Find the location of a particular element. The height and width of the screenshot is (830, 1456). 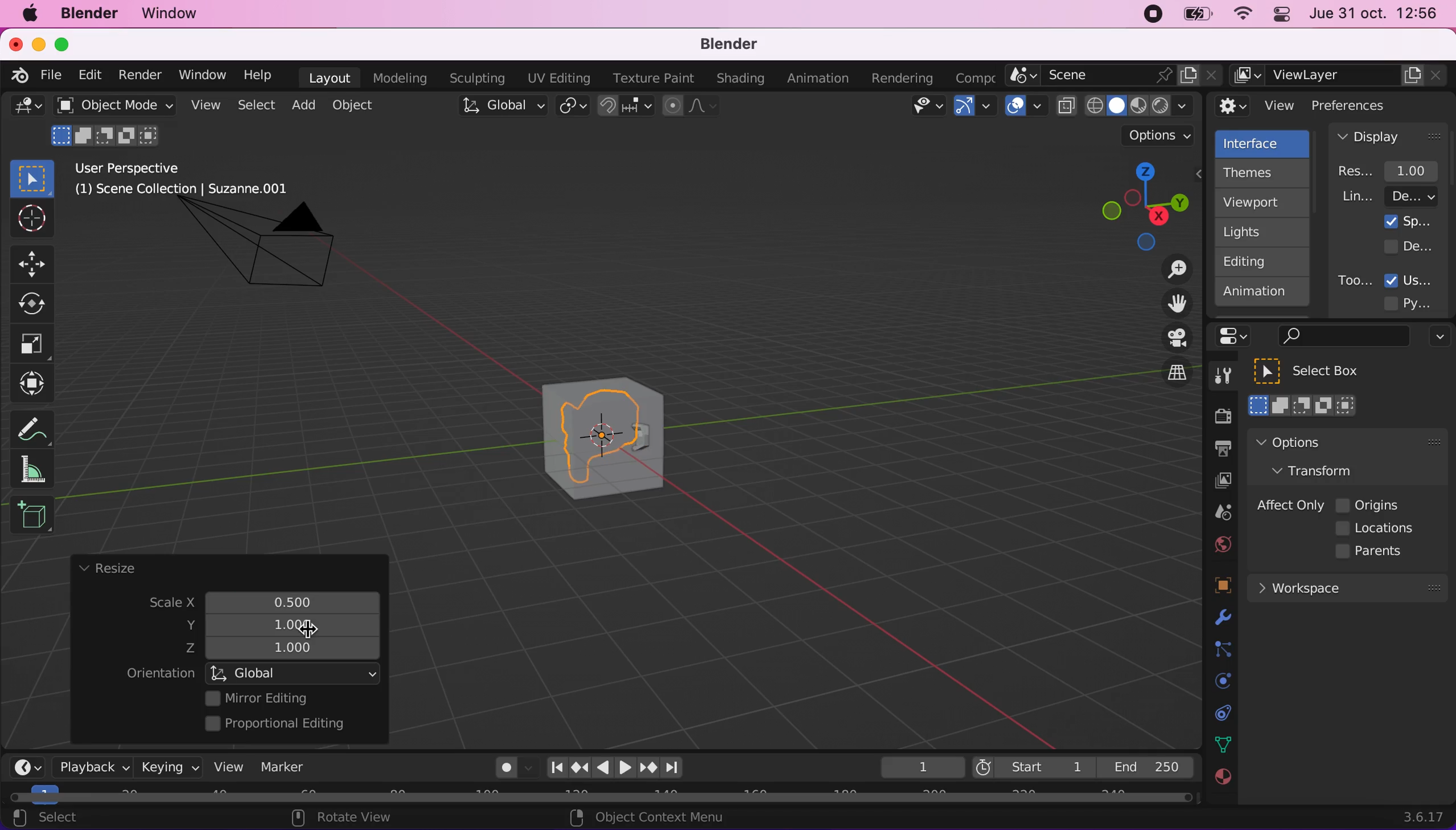

playback is located at coordinates (89, 766).